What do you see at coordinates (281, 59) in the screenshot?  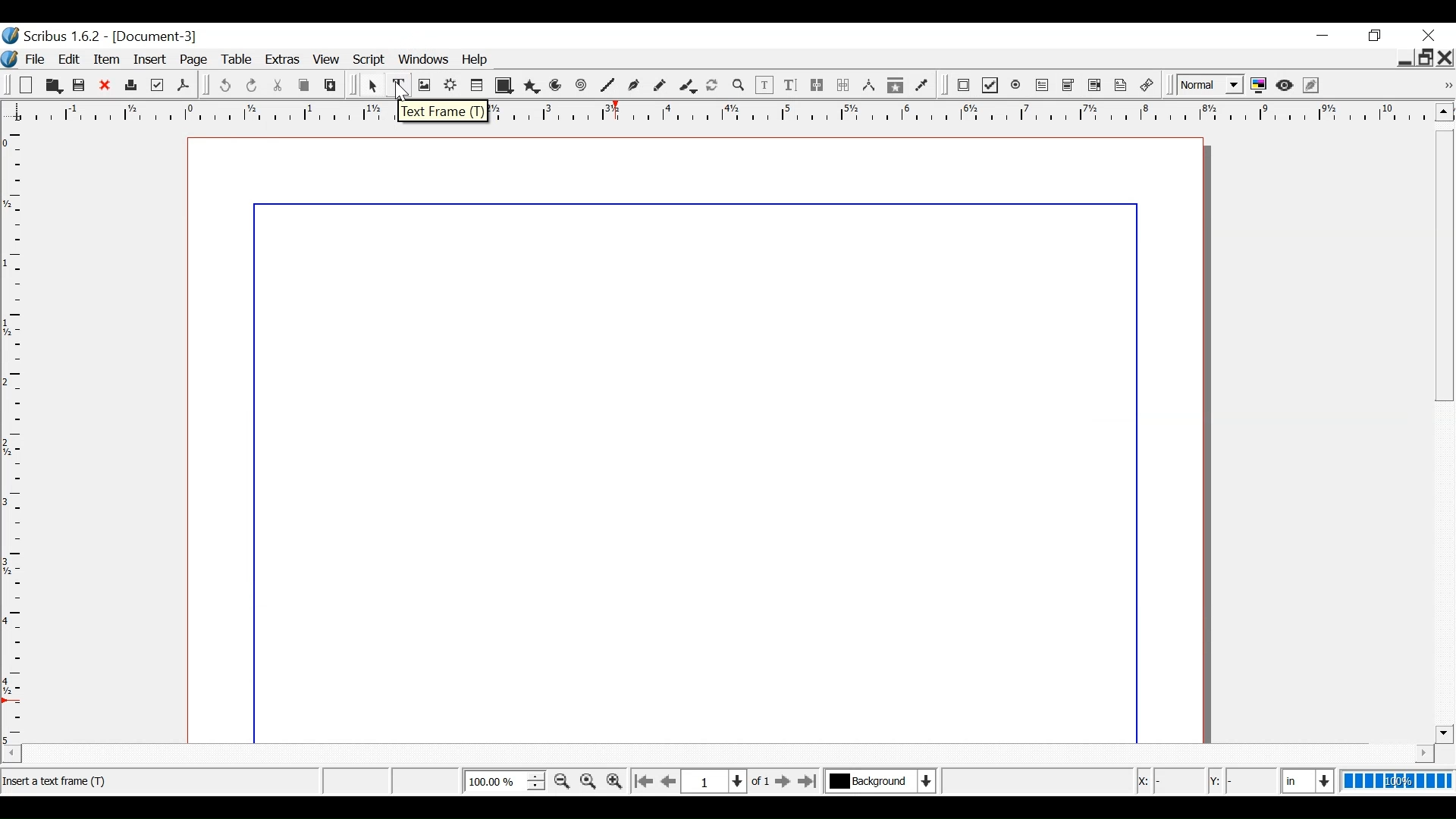 I see `Extras` at bounding box center [281, 59].